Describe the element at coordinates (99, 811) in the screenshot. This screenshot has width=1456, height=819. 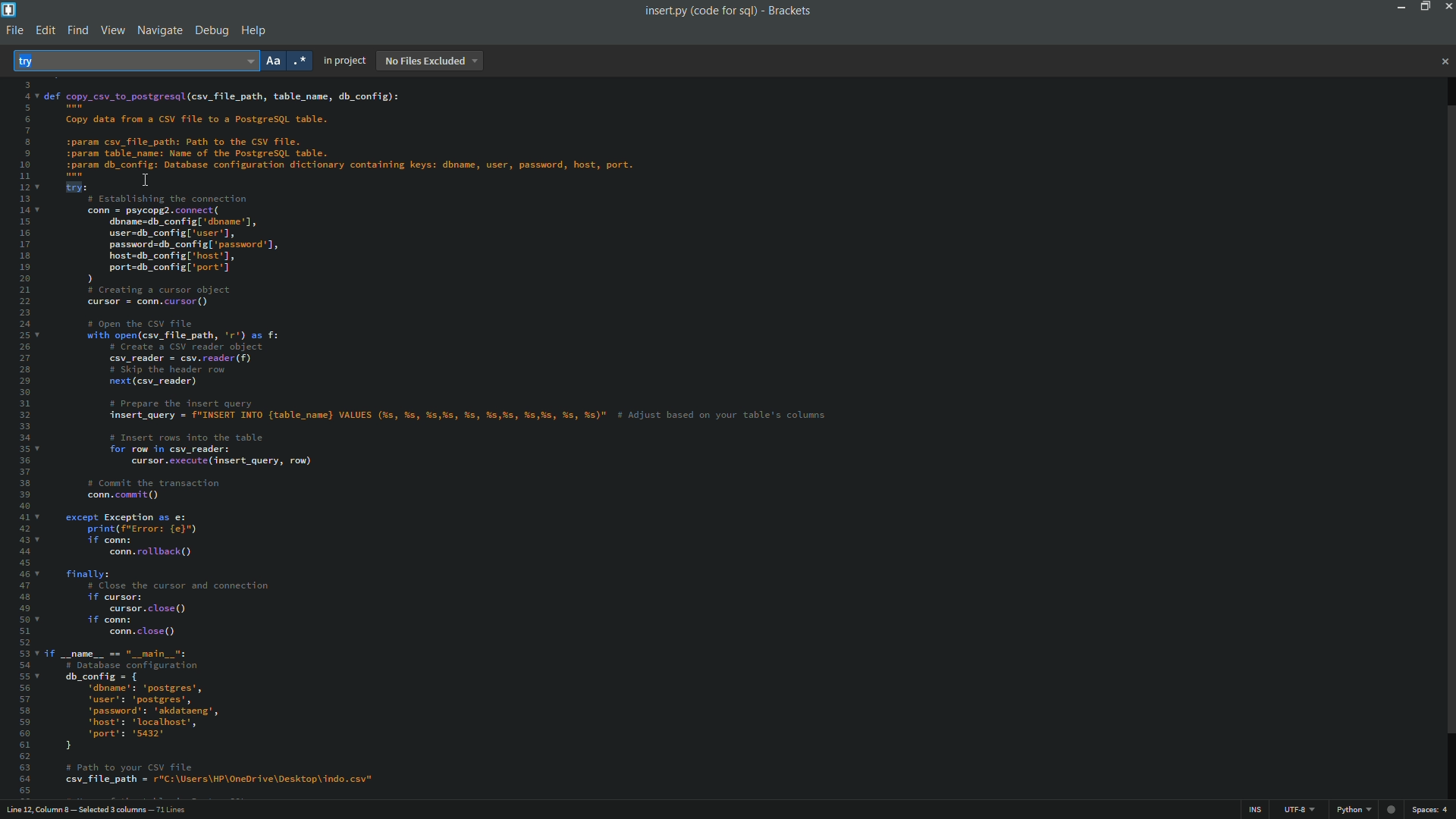
I see `cursor position` at that location.